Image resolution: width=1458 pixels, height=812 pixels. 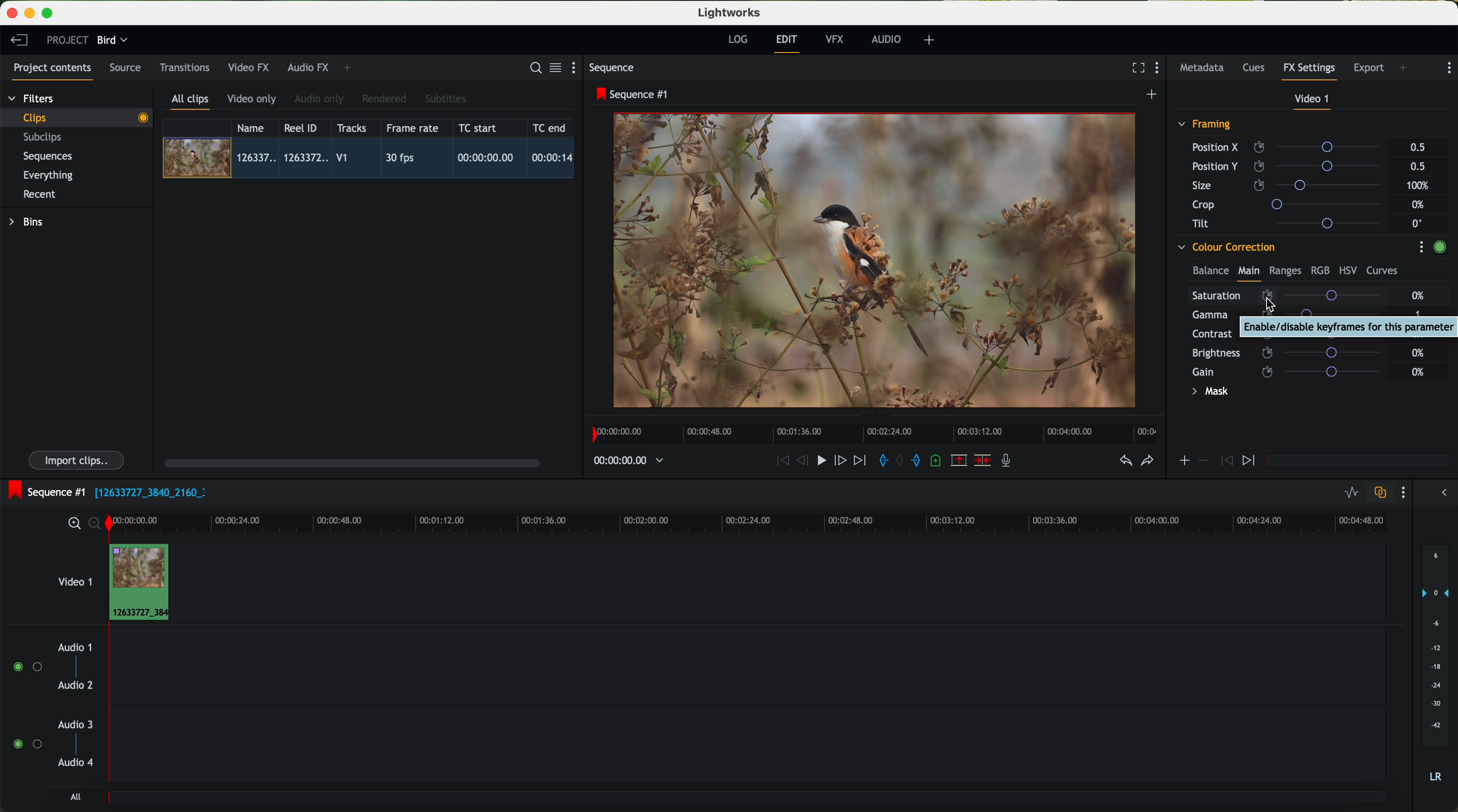 I want to click on all clips, so click(x=191, y=102).